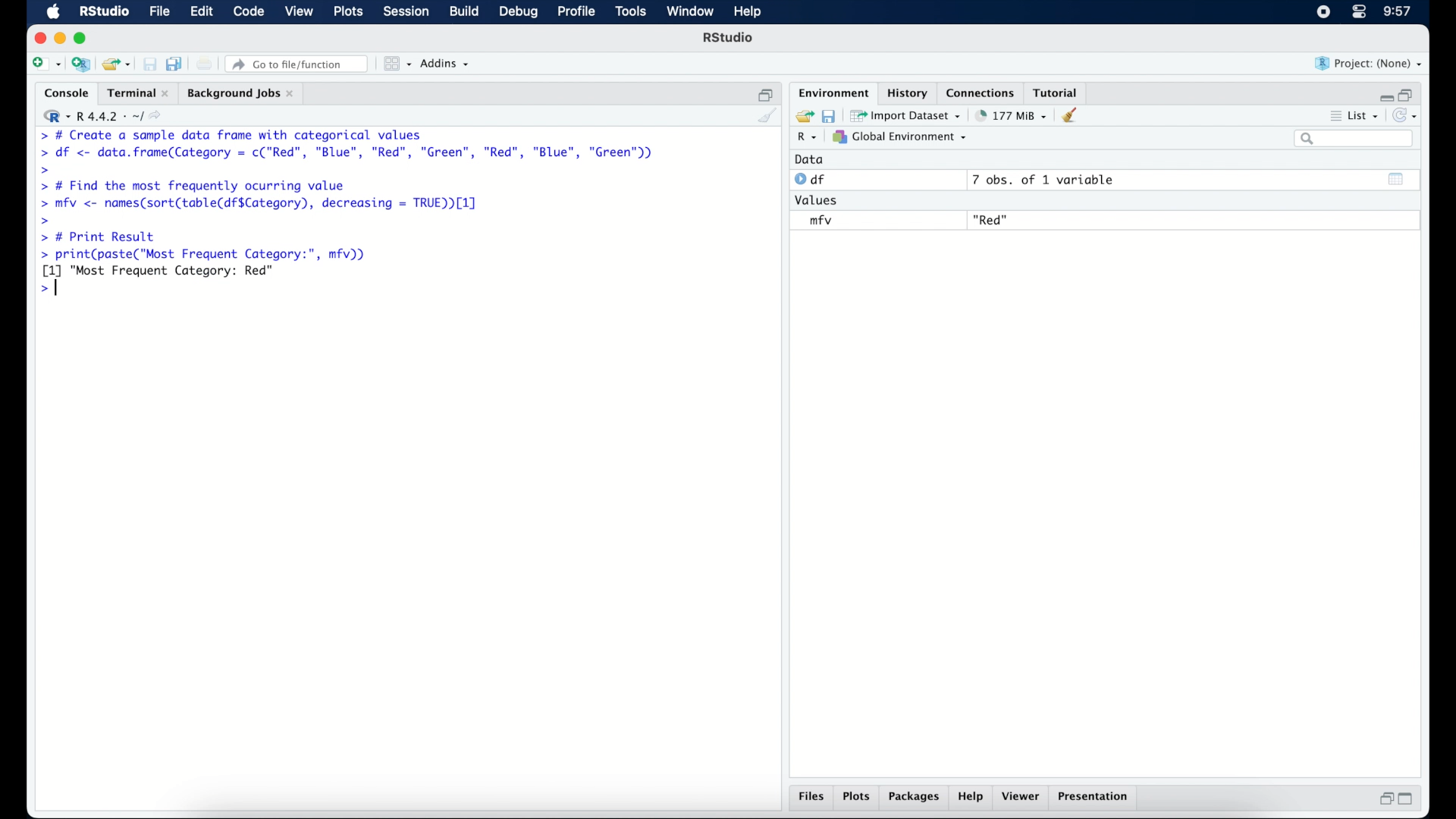 The height and width of the screenshot is (819, 1456). Describe the element at coordinates (833, 92) in the screenshot. I see `environment` at that location.